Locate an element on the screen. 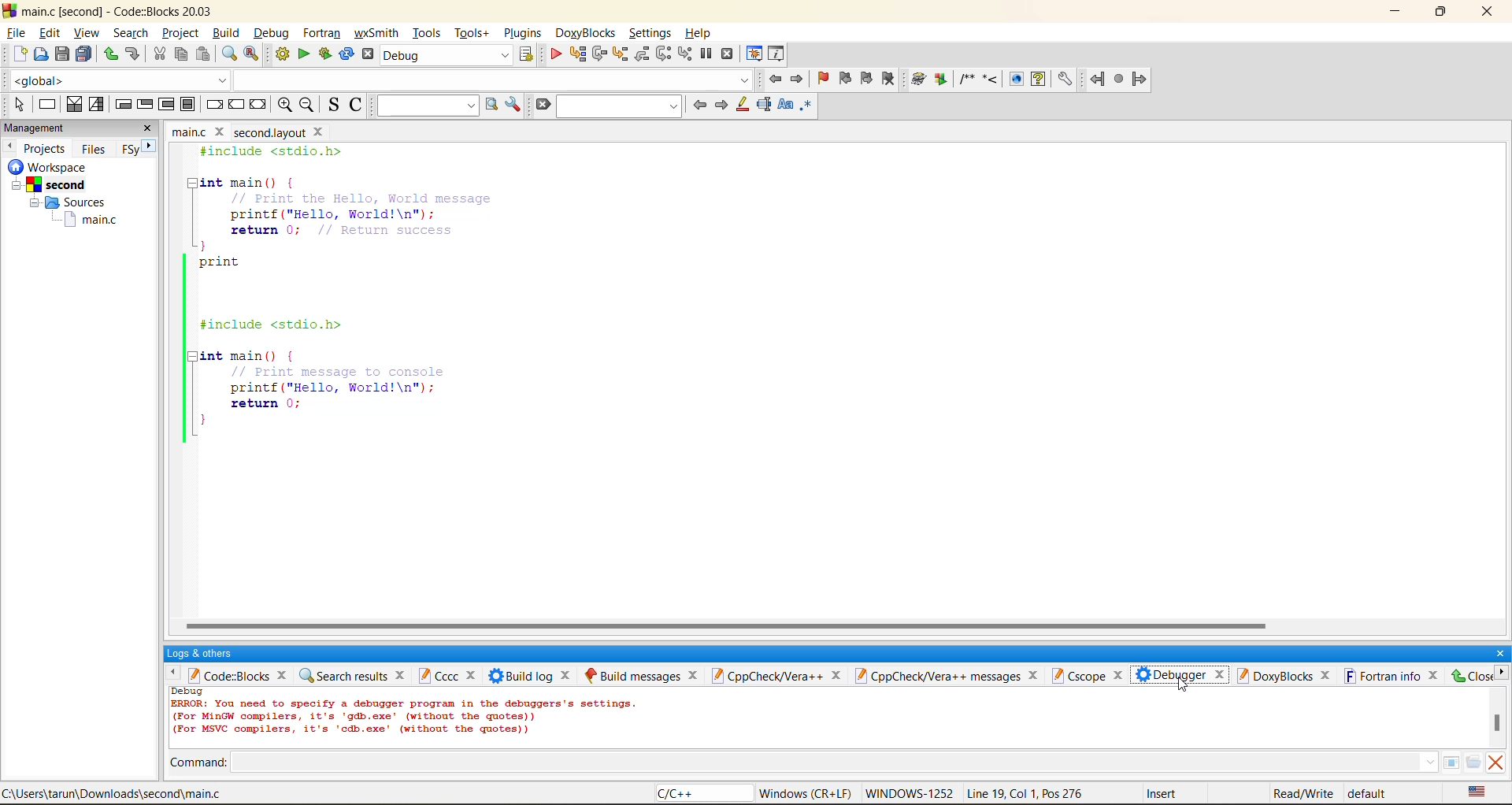 This screenshot has width=1512, height=805. menu is located at coordinates (1465, 762).